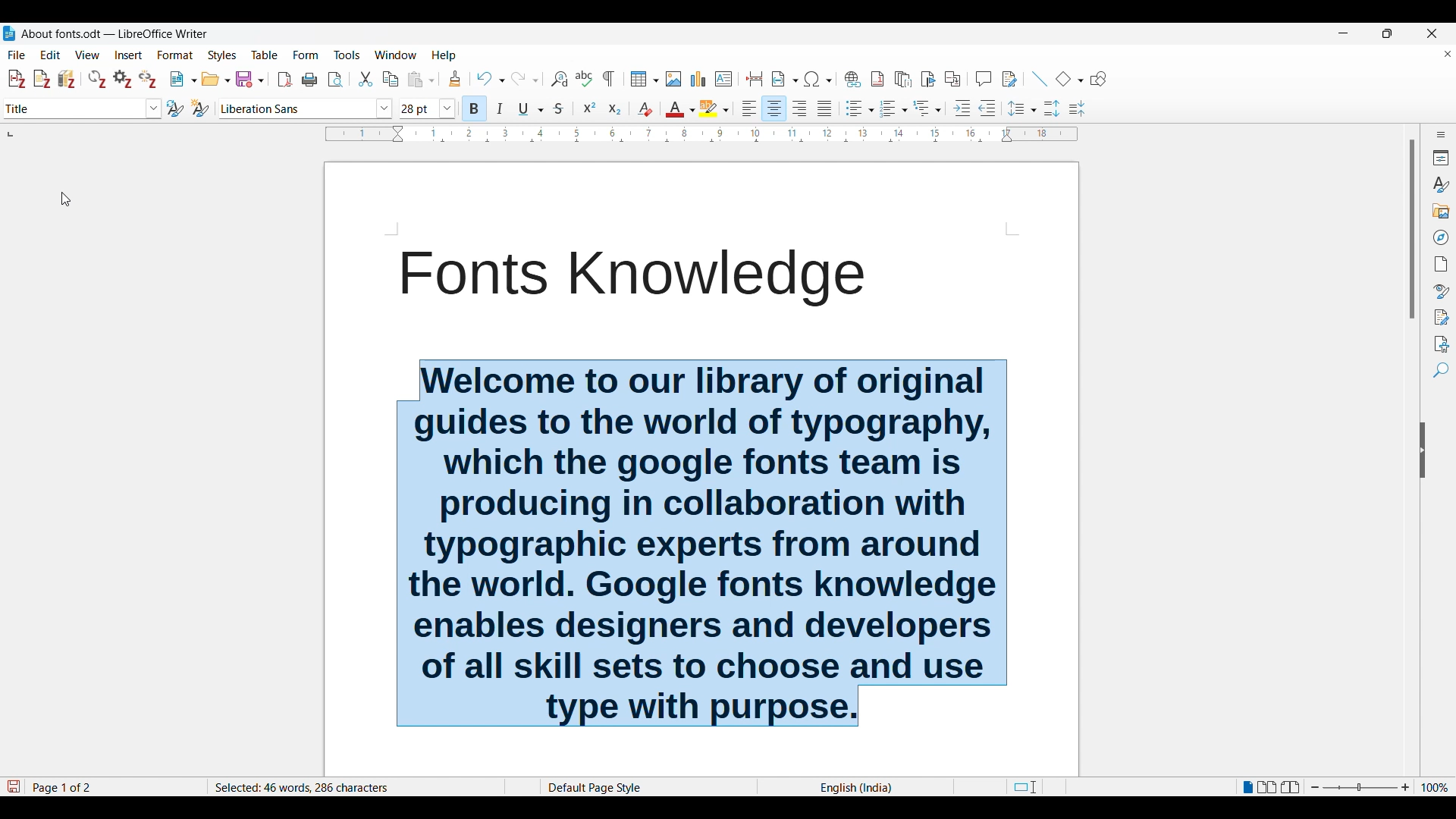  What do you see at coordinates (702, 542) in the screenshot?
I see `Font knowledge welcome message` at bounding box center [702, 542].